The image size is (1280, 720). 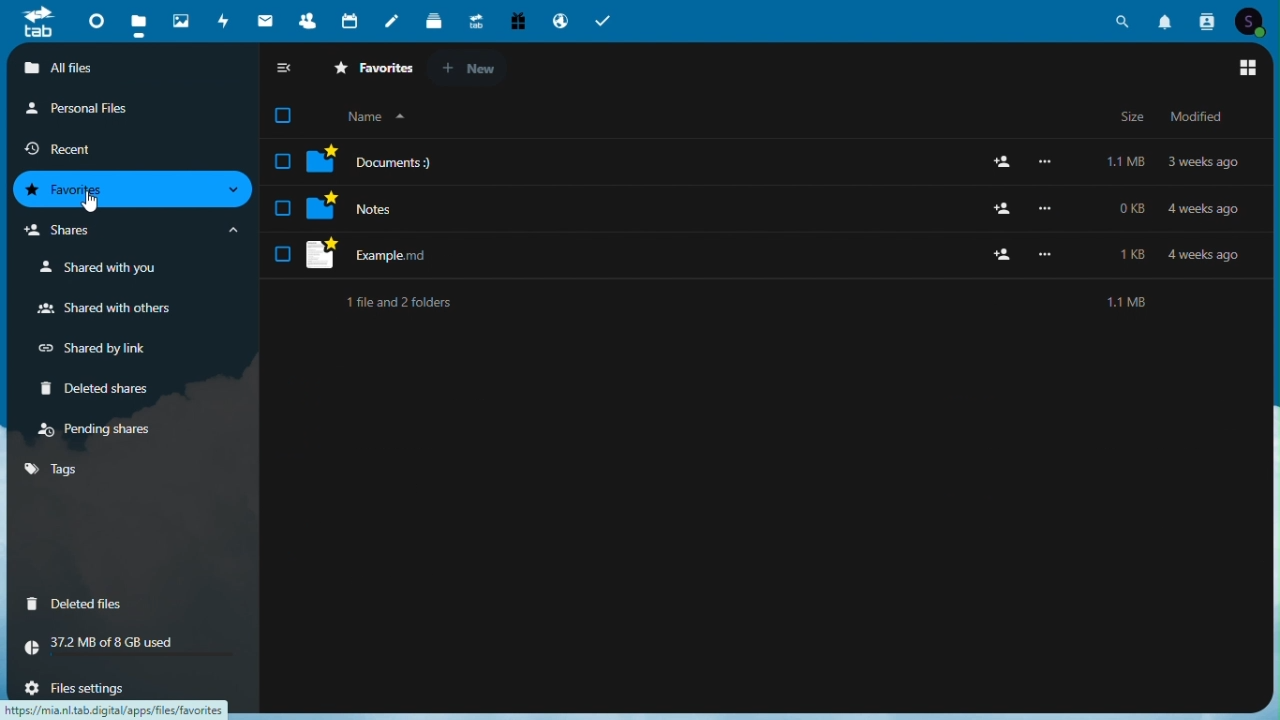 What do you see at coordinates (266, 18) in the screenshot?
I see `email` at bounding box center [266, 18].